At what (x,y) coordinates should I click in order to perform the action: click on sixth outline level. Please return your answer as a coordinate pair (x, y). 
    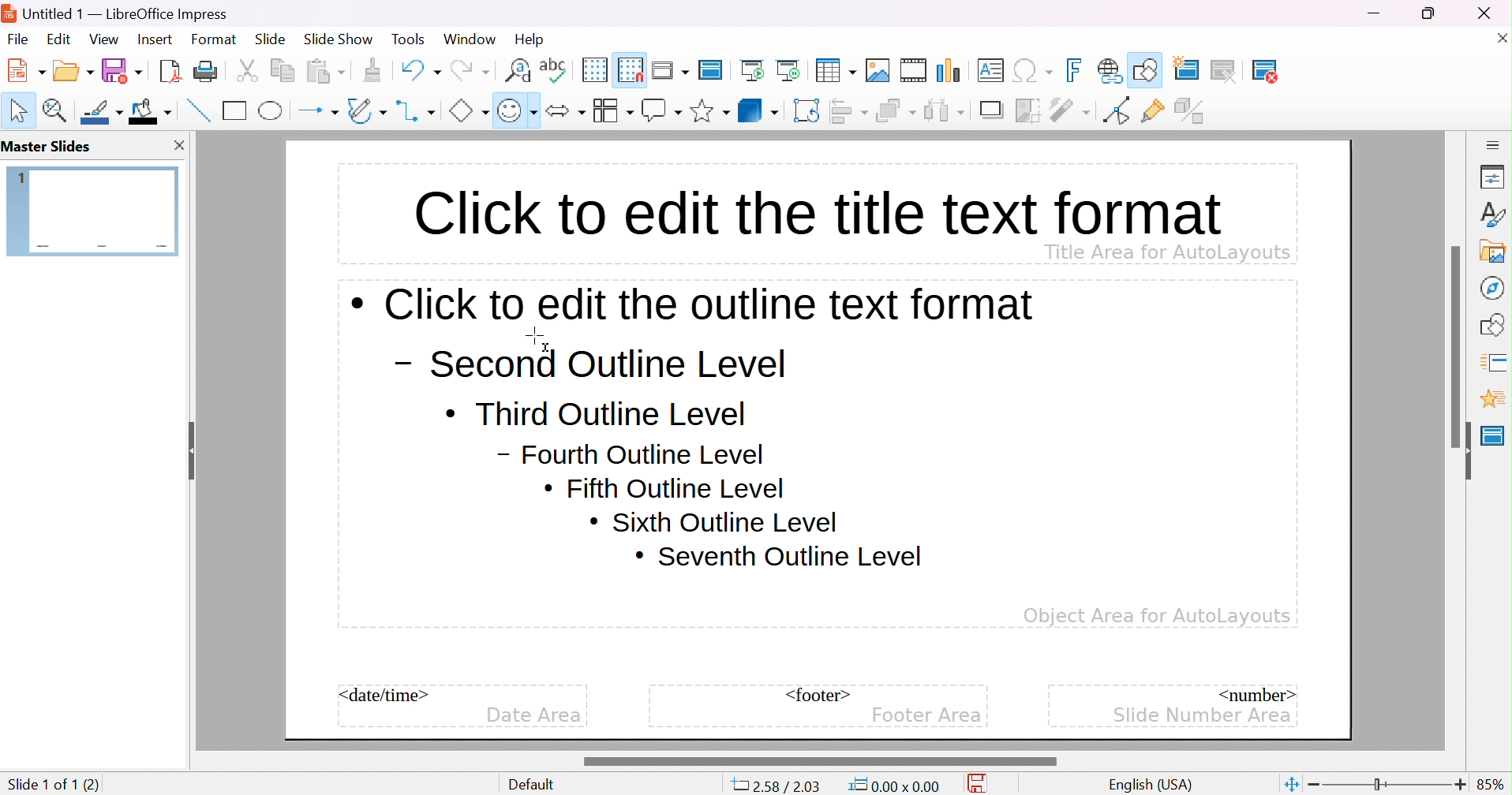
    Looking at the image, I should click on (713, 521).